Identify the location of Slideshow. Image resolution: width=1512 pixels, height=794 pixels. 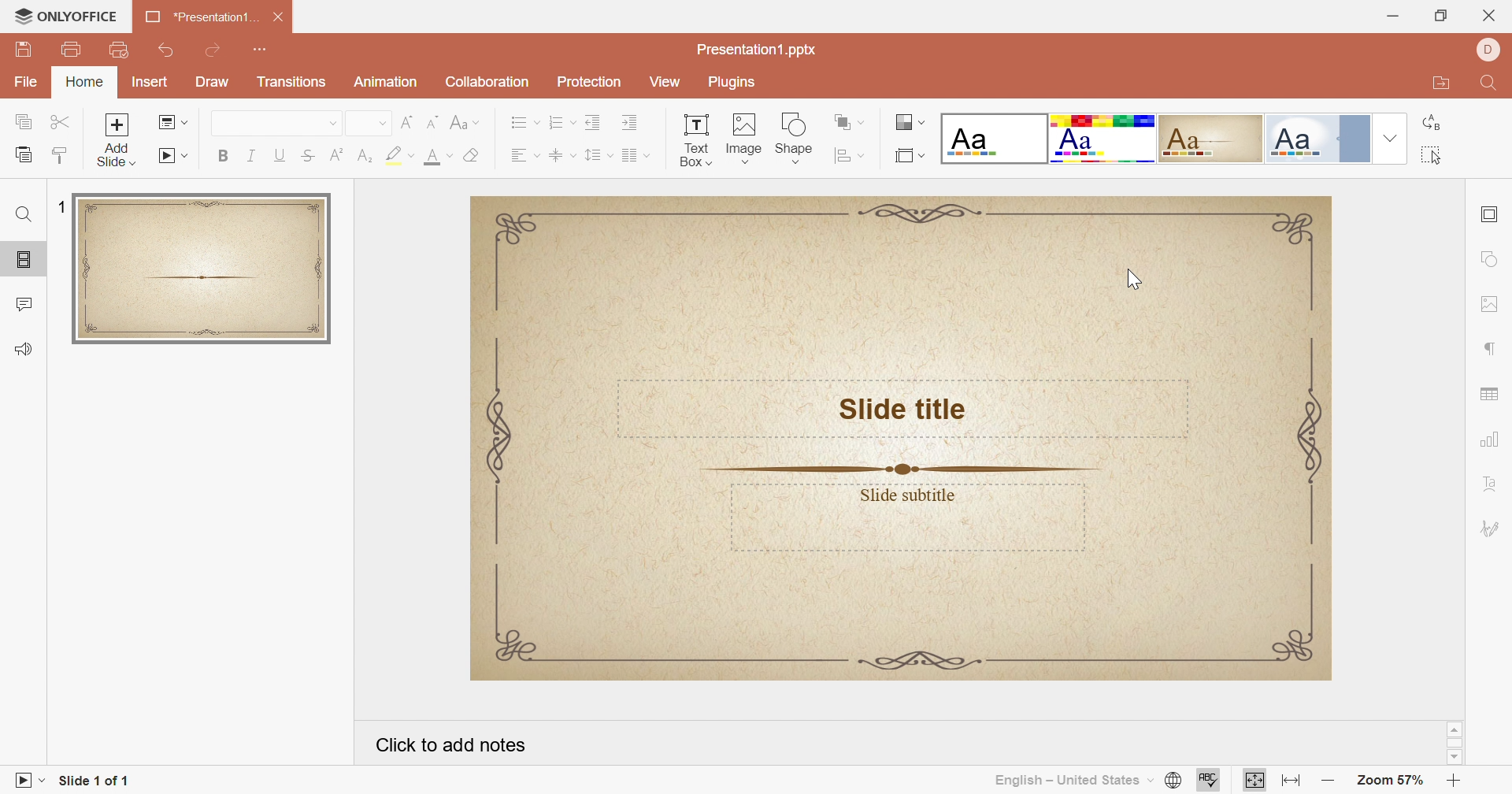
(20, 780).